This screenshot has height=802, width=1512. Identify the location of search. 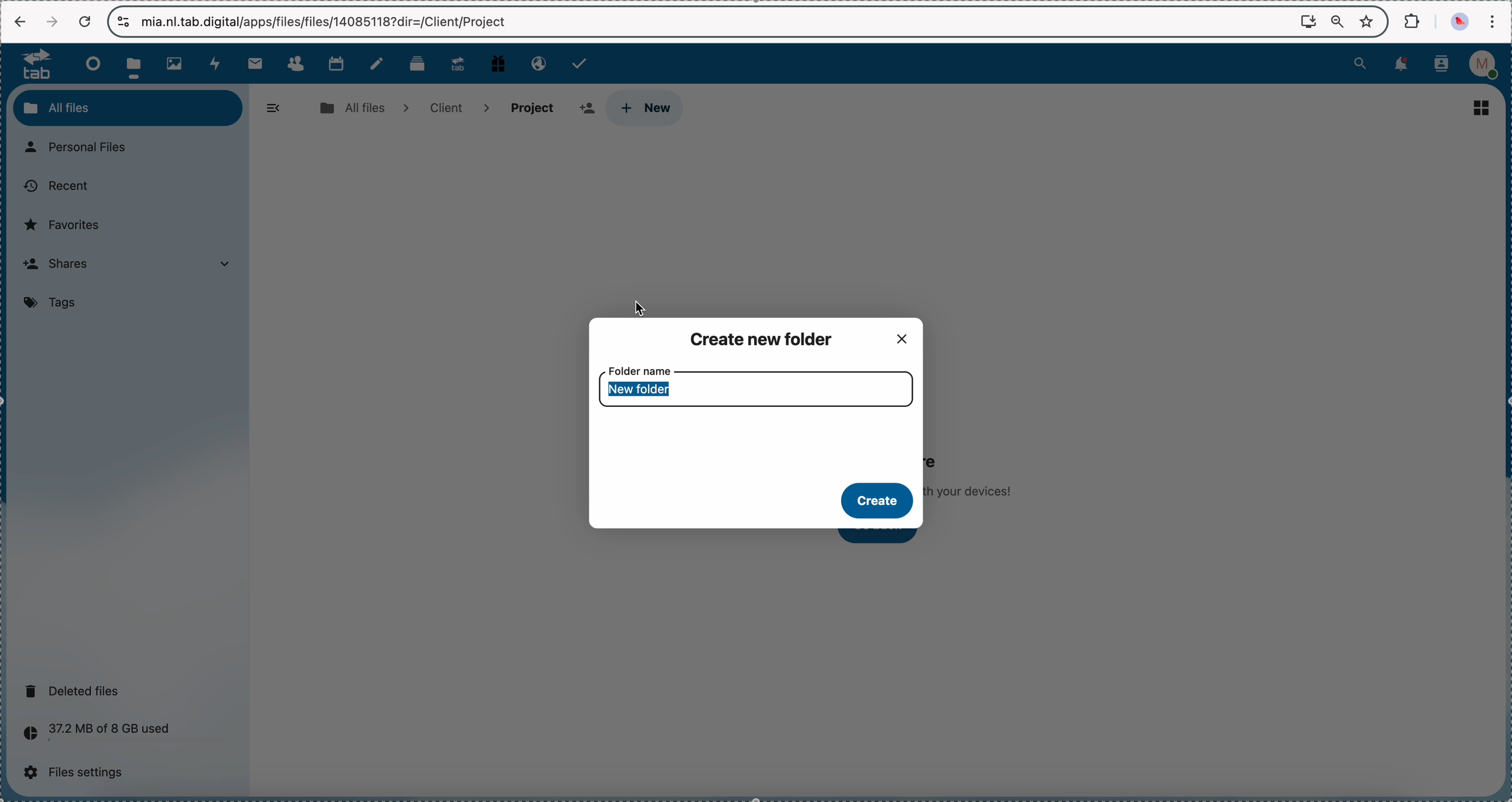
(1360, 62).